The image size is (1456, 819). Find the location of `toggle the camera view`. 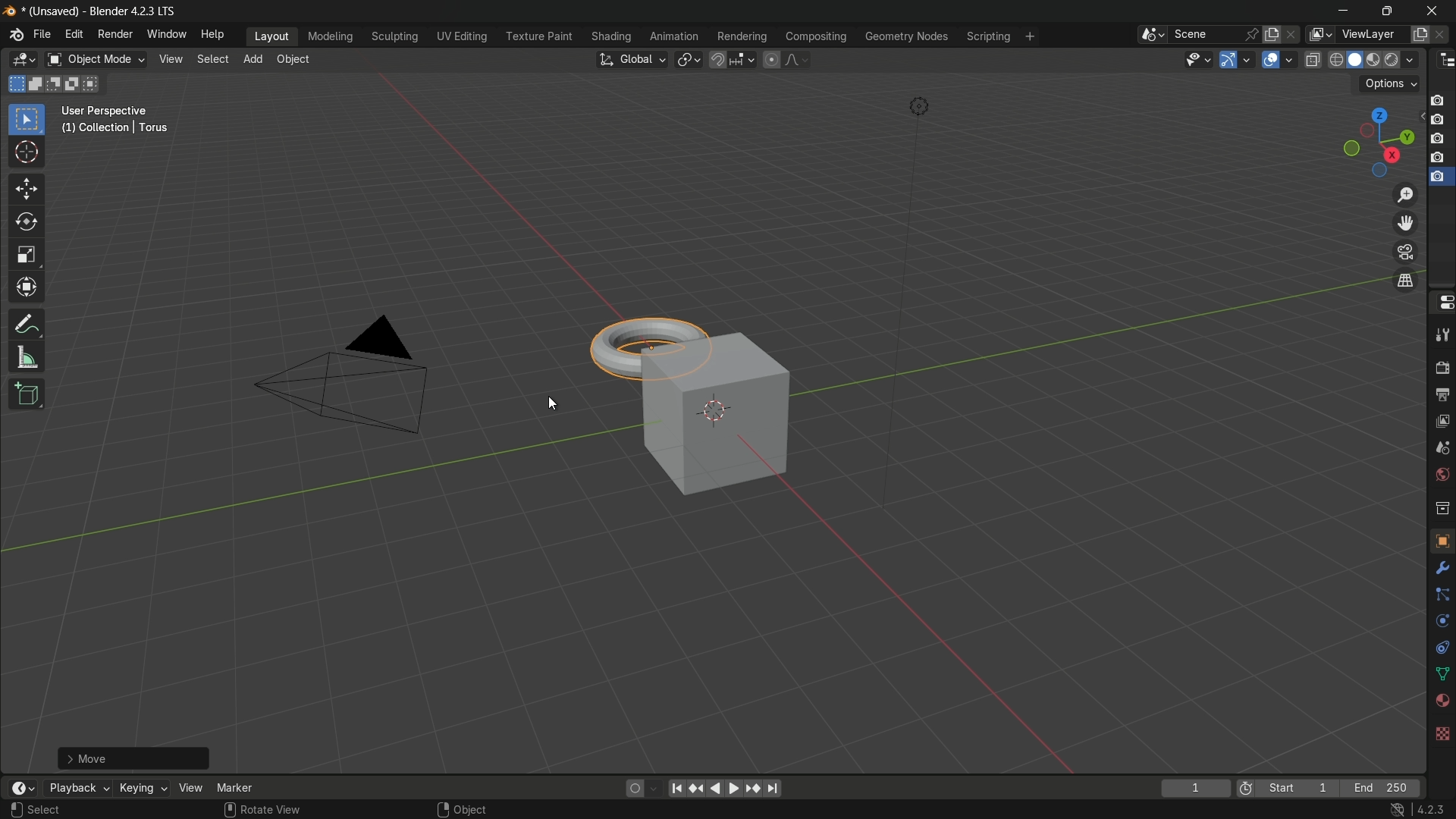

toggle the camera view is located at coordinates (1405, 252).